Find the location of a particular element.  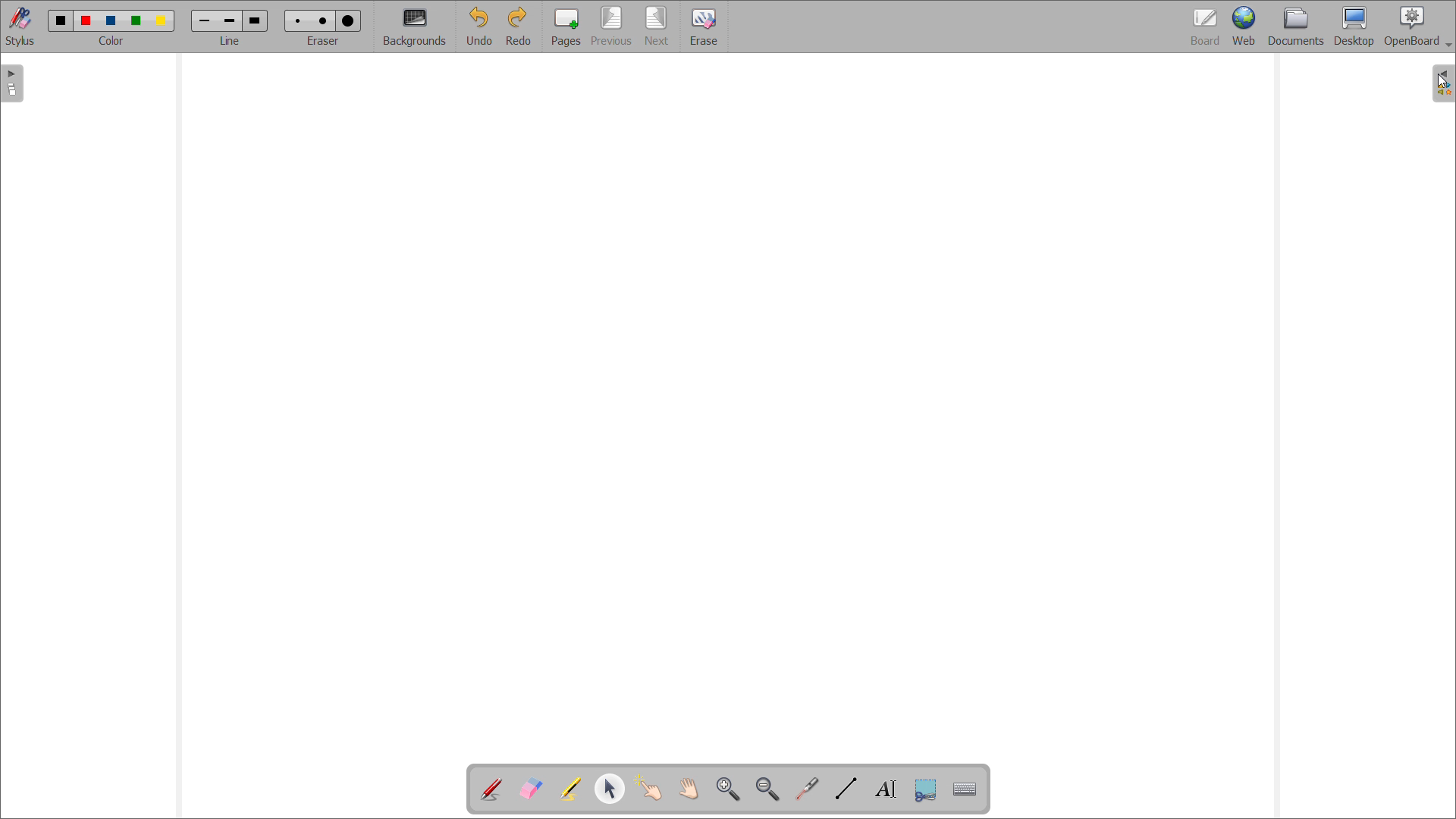

draw lines is located at coordinates (845, 789).